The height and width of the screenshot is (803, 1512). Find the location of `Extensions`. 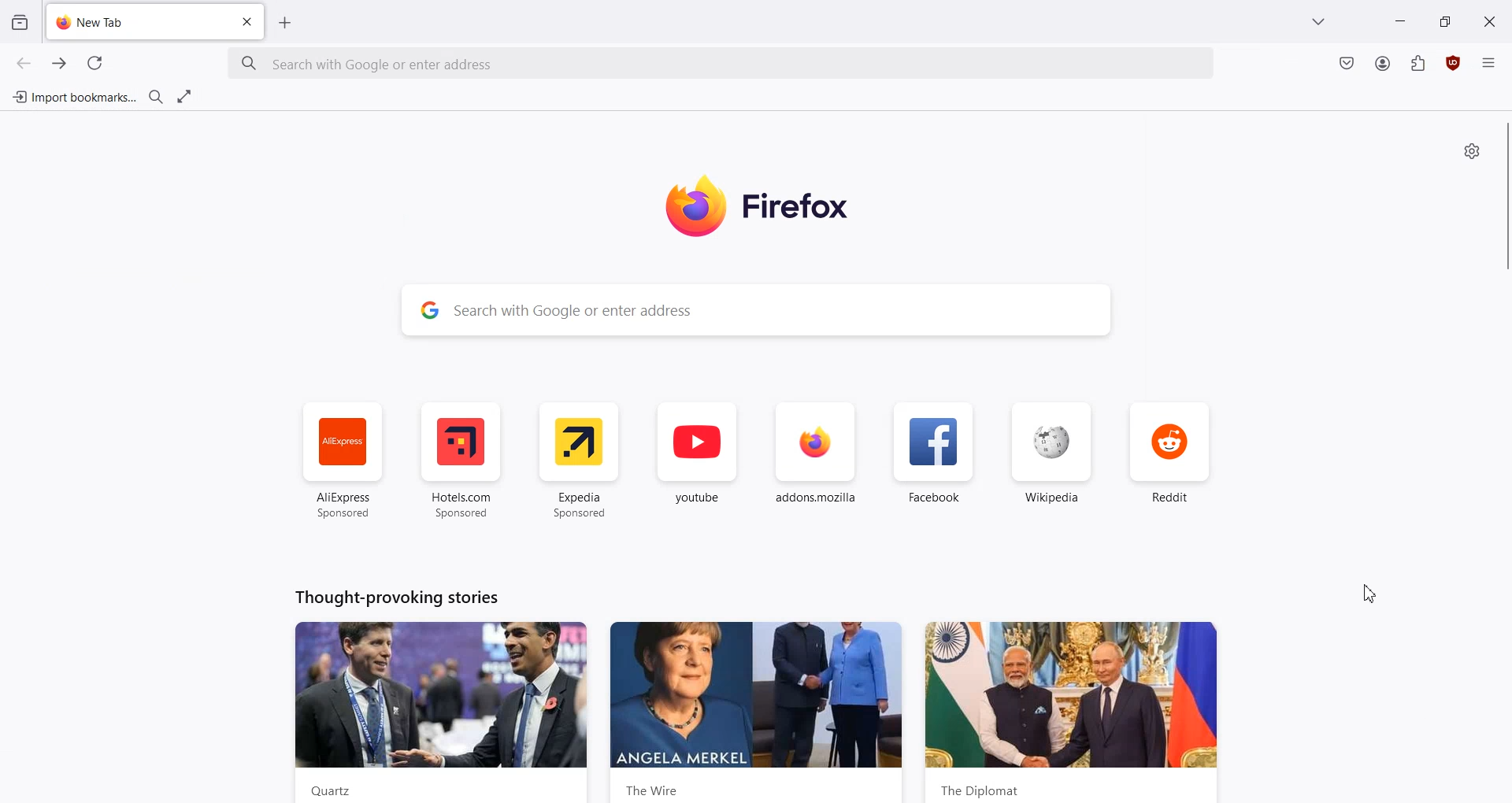

Extensions is located at coordinates (1418, 64).